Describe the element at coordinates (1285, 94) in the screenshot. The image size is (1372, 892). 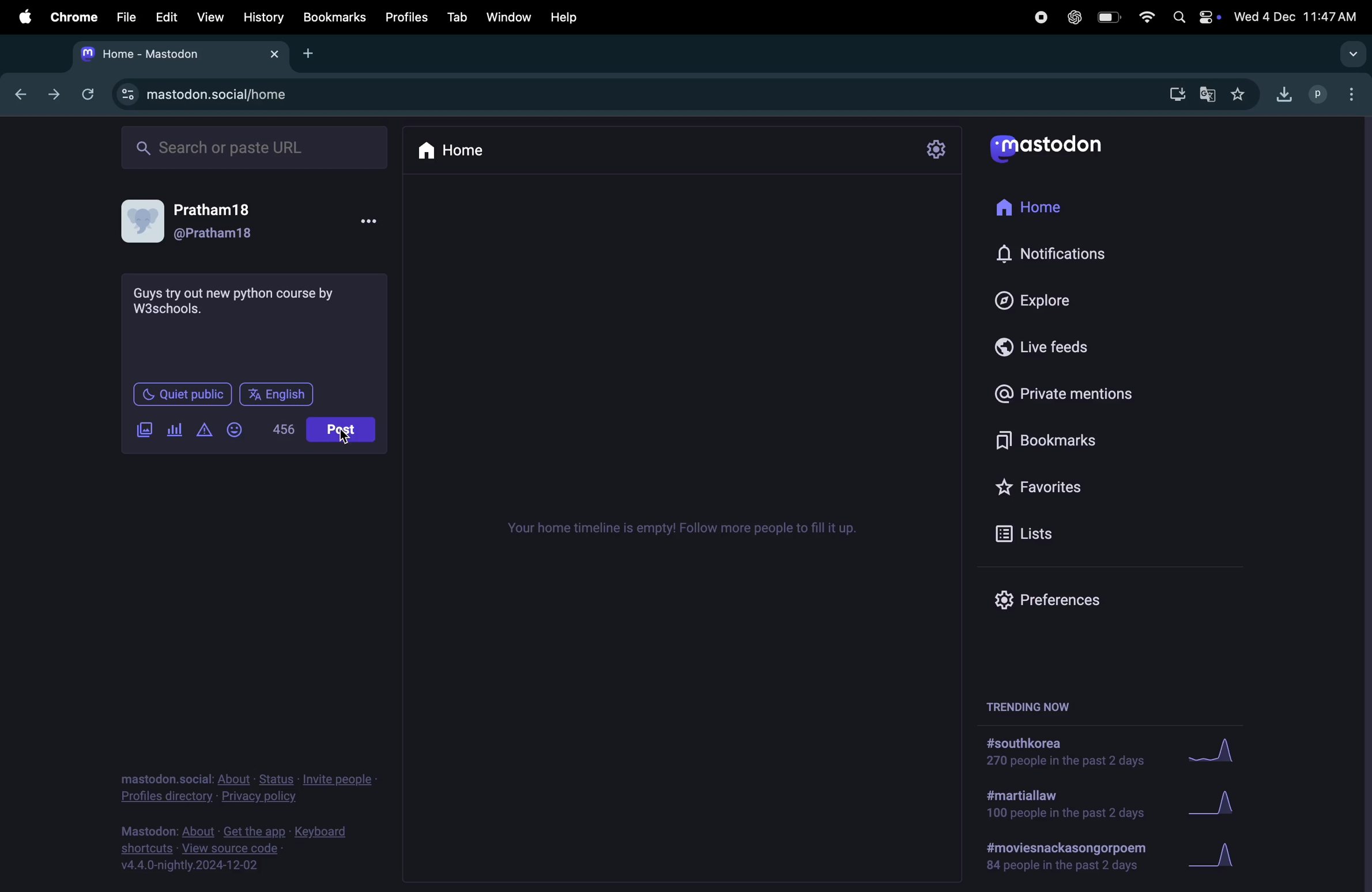
I see `downloads` at that location.